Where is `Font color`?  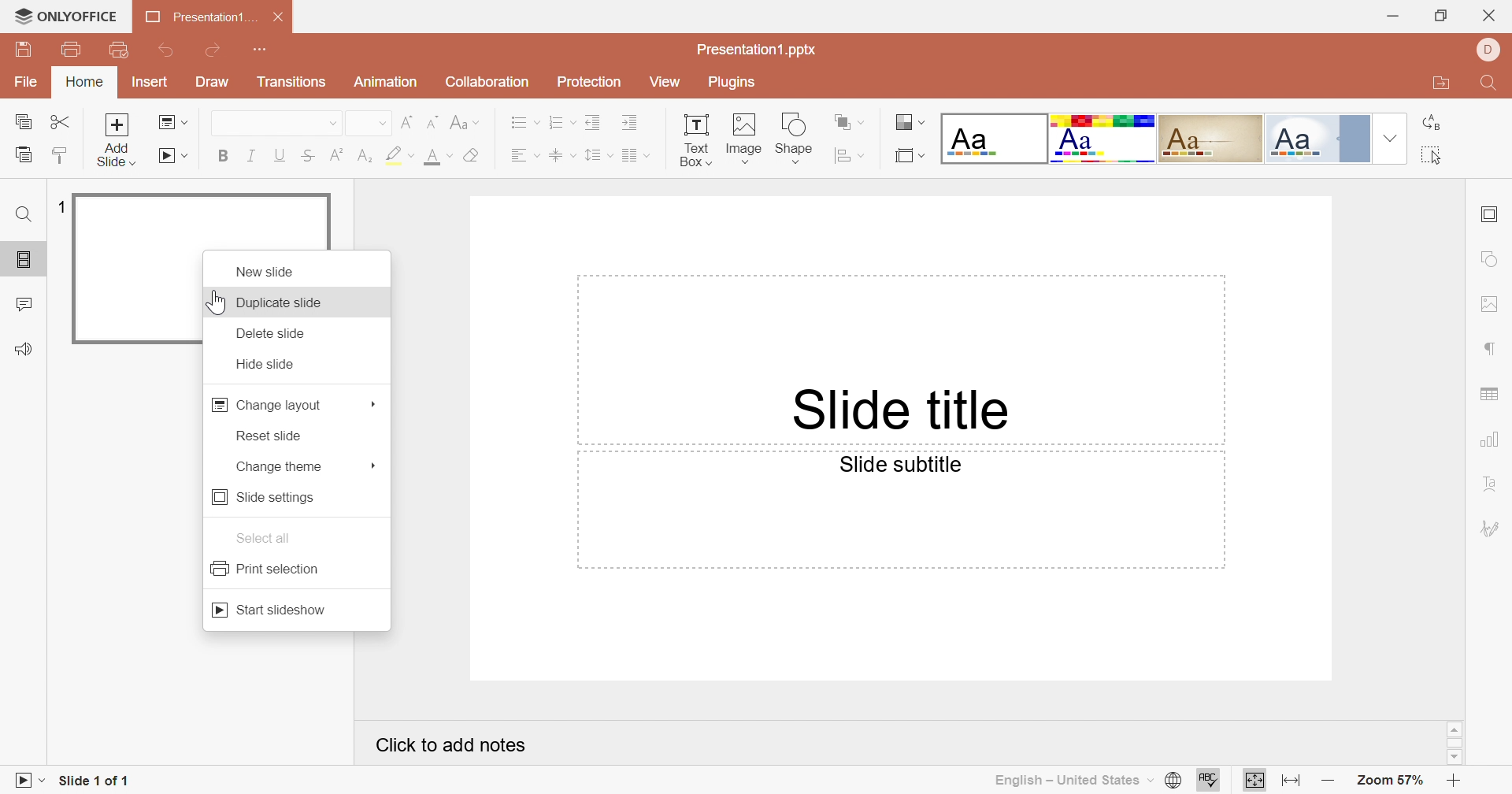
Font color is located at coordinates (436, 157).